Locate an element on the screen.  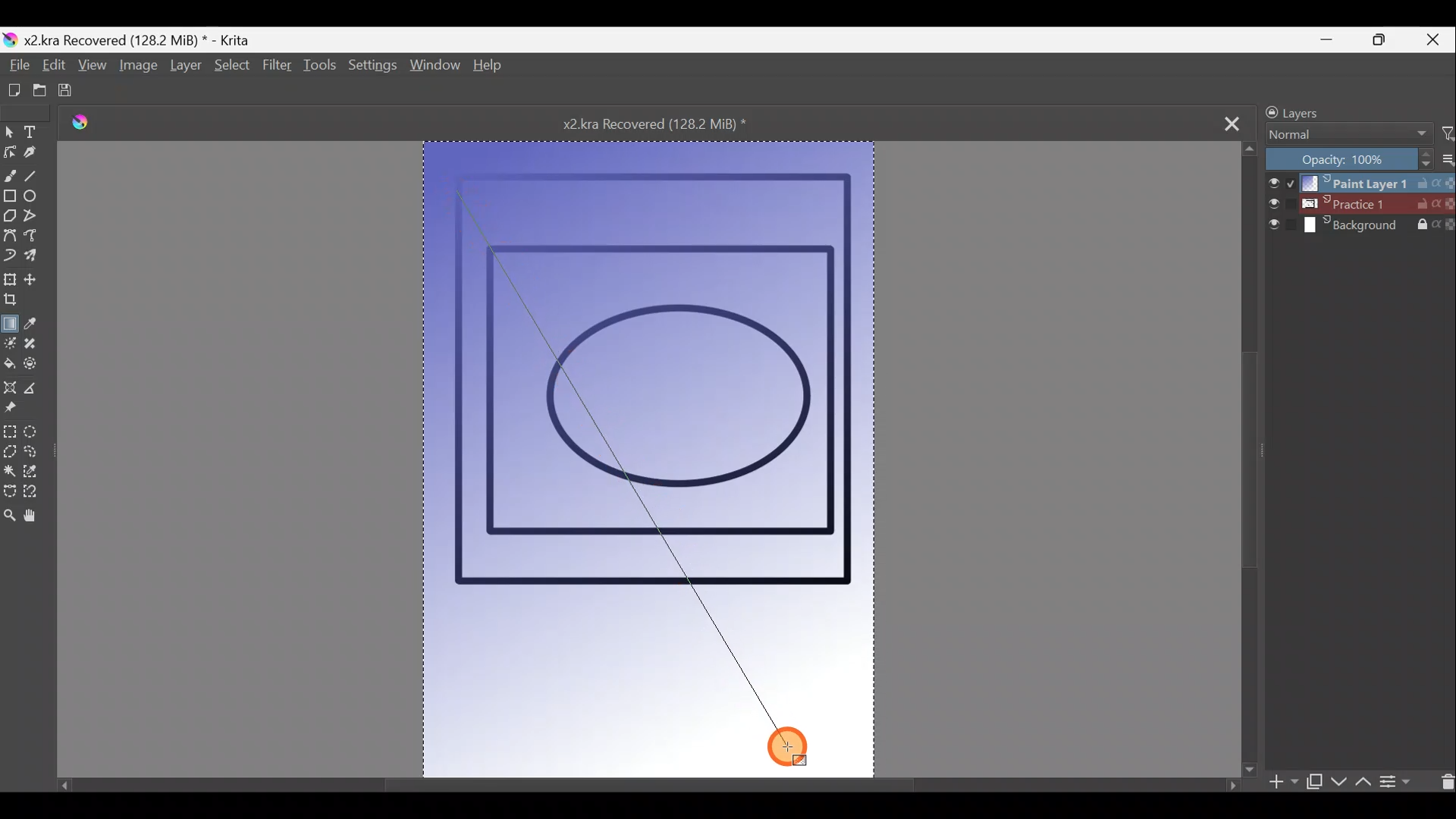
Similar colour selection tool is located at coordinates (34, 475).